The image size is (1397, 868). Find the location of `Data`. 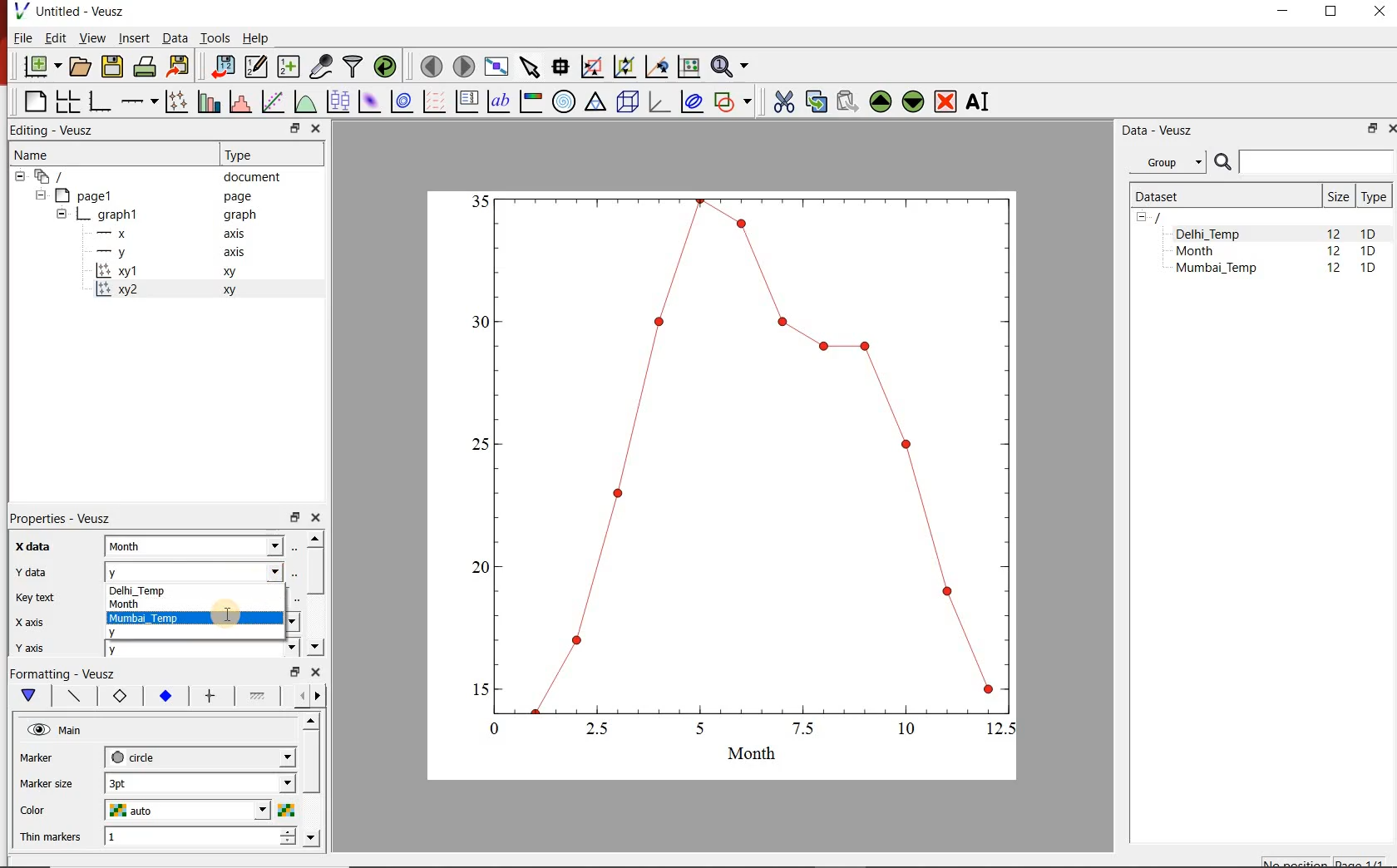

Data is located at coordinates (174, 37).